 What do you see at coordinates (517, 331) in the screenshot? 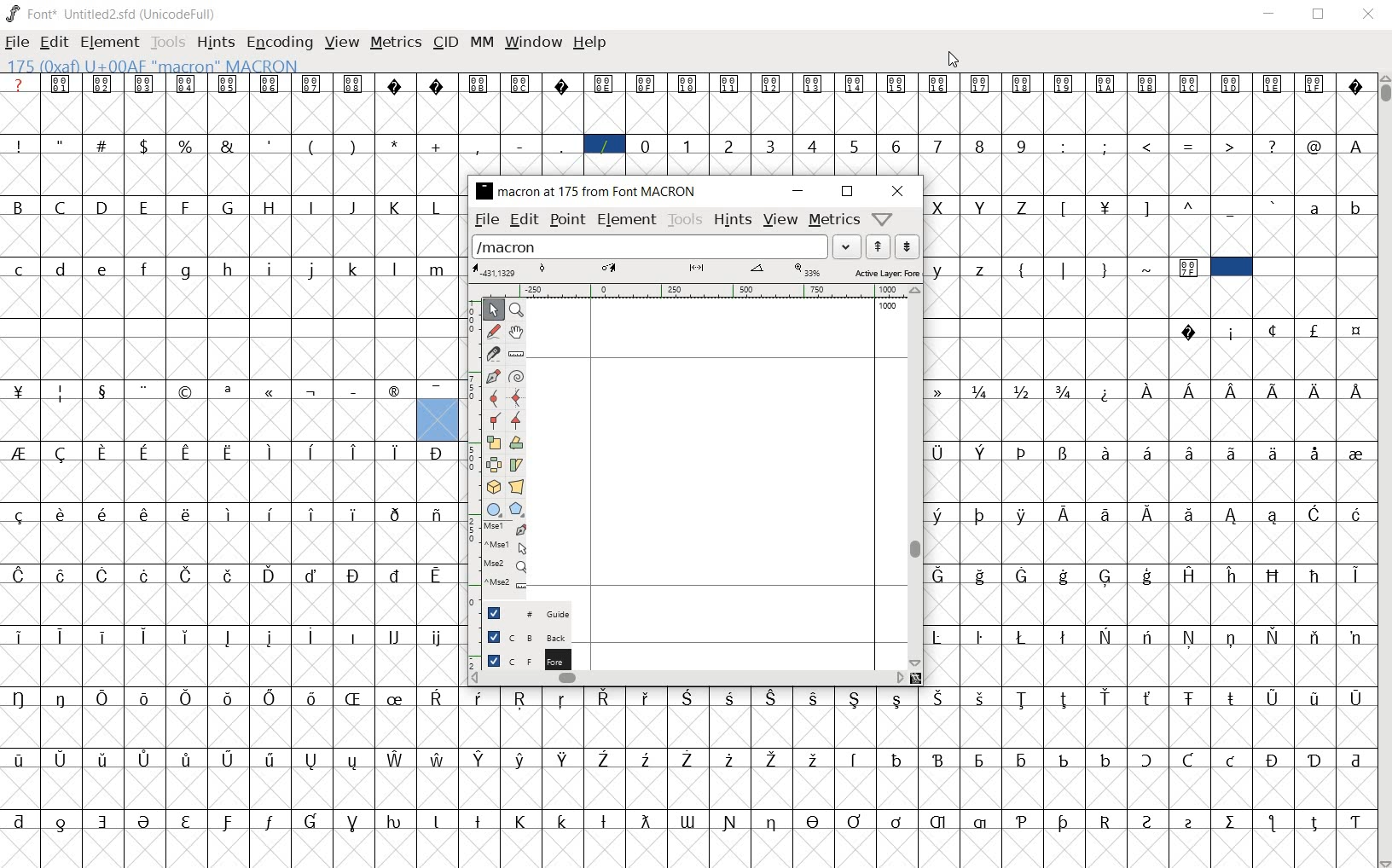
I see `pan` at bounding box center [517, 331].